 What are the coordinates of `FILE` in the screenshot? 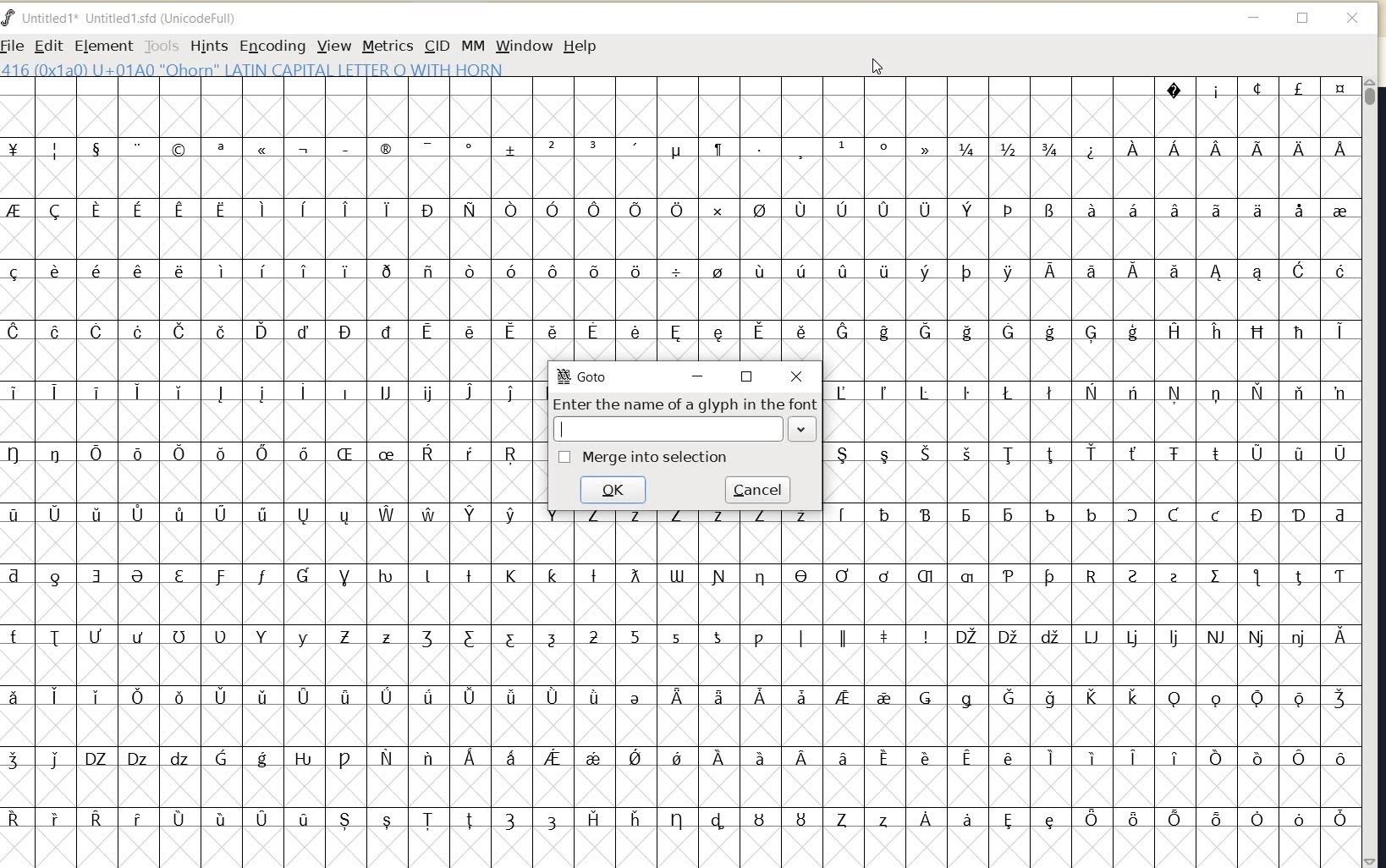 It's located at (14, 47).